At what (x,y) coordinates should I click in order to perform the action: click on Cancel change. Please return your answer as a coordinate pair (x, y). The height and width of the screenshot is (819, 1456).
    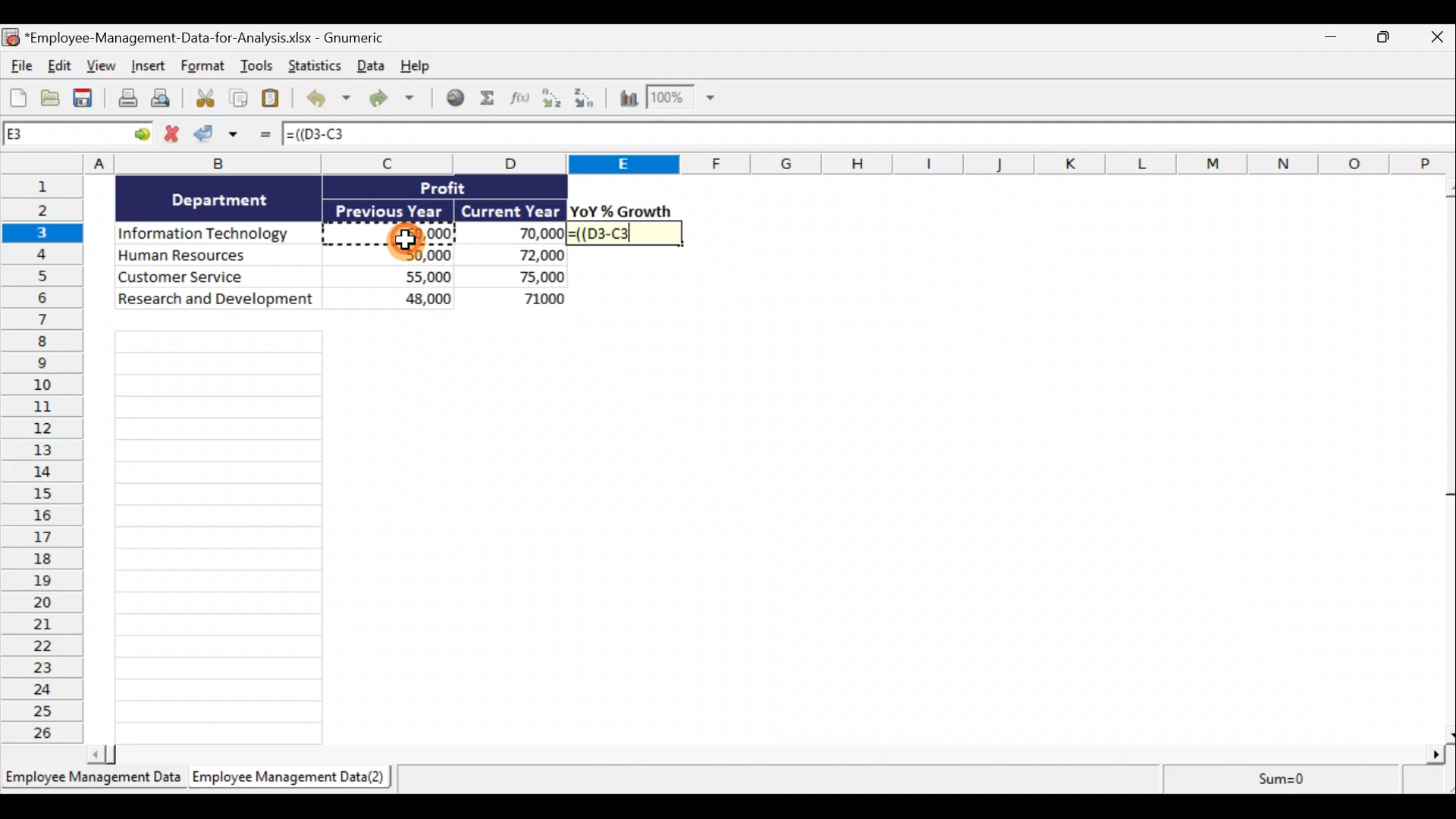
    Looking at the image, I should click on (174, 134).